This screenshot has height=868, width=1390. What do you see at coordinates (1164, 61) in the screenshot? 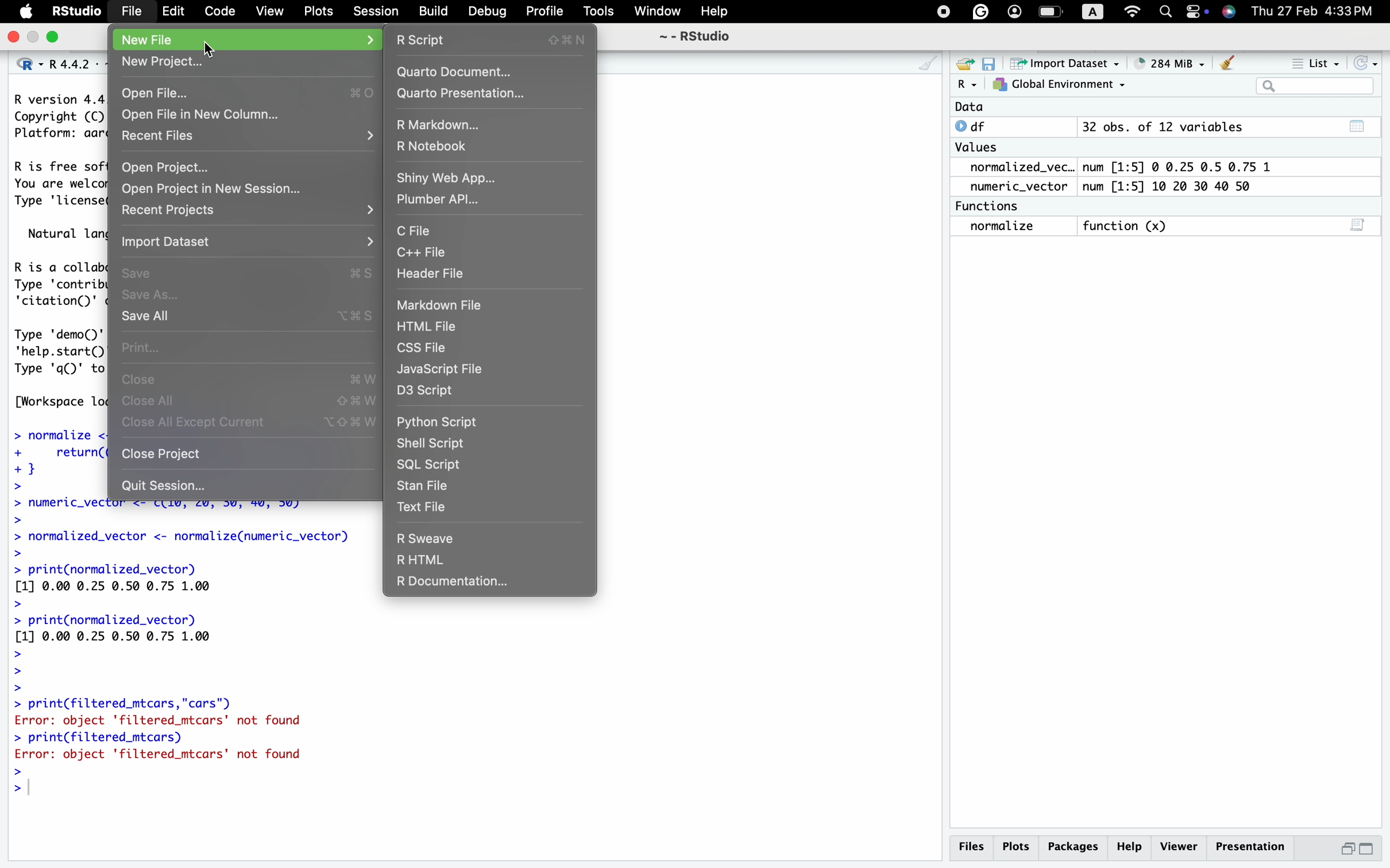
I see ` 284 MiB ` at bounding box center [1164, 61].